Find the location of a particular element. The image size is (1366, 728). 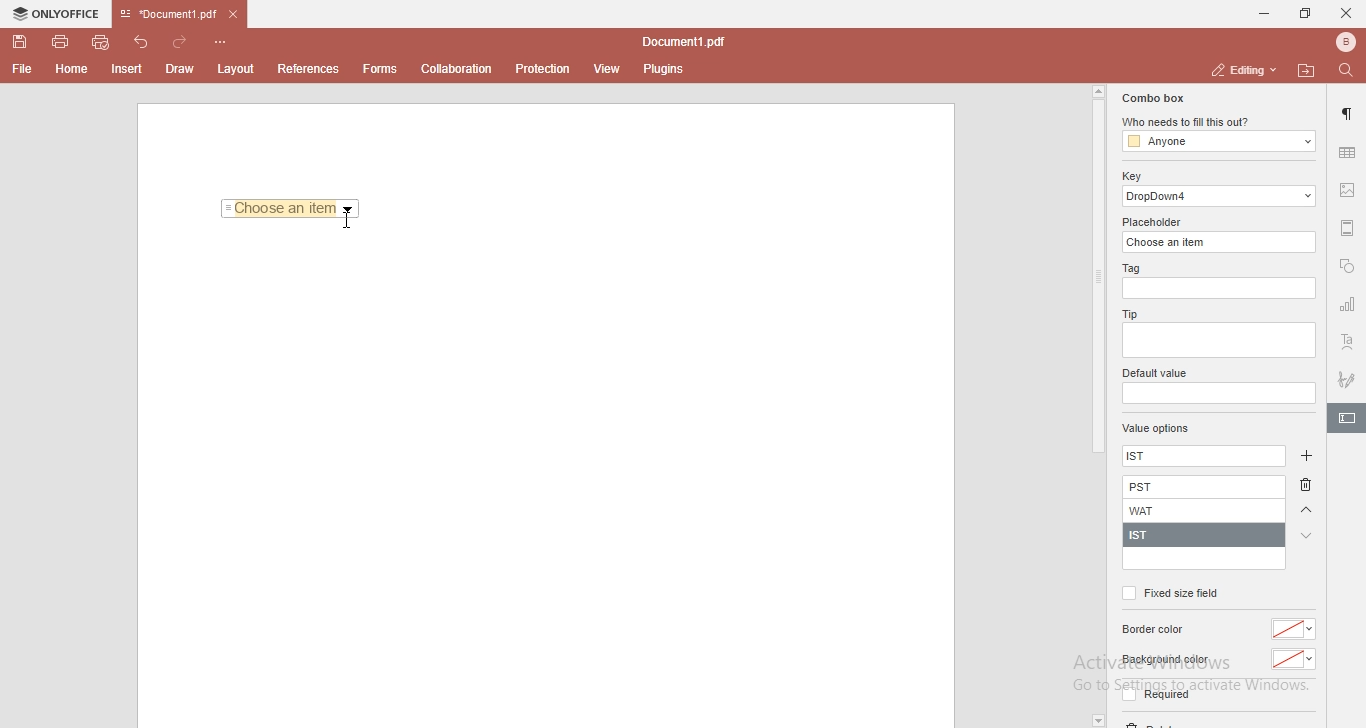

border color is located at coordinates (1156, 630).